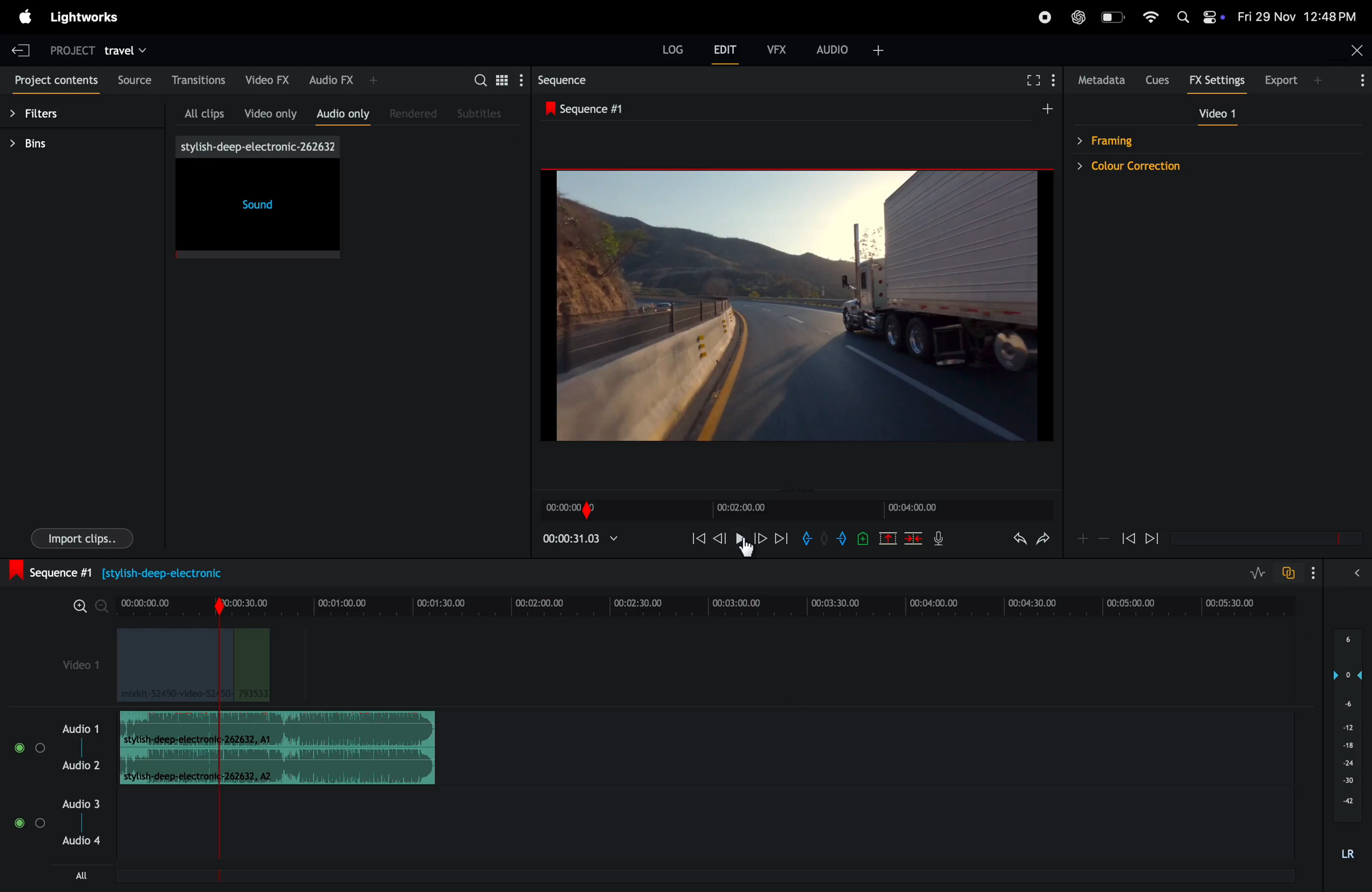 Image resolution: width=1372 pixels, height=892 pixels. What do you see at coordinates (82, 841) in the screenshot?
I see `Audio` at bounding box center [82, 841].